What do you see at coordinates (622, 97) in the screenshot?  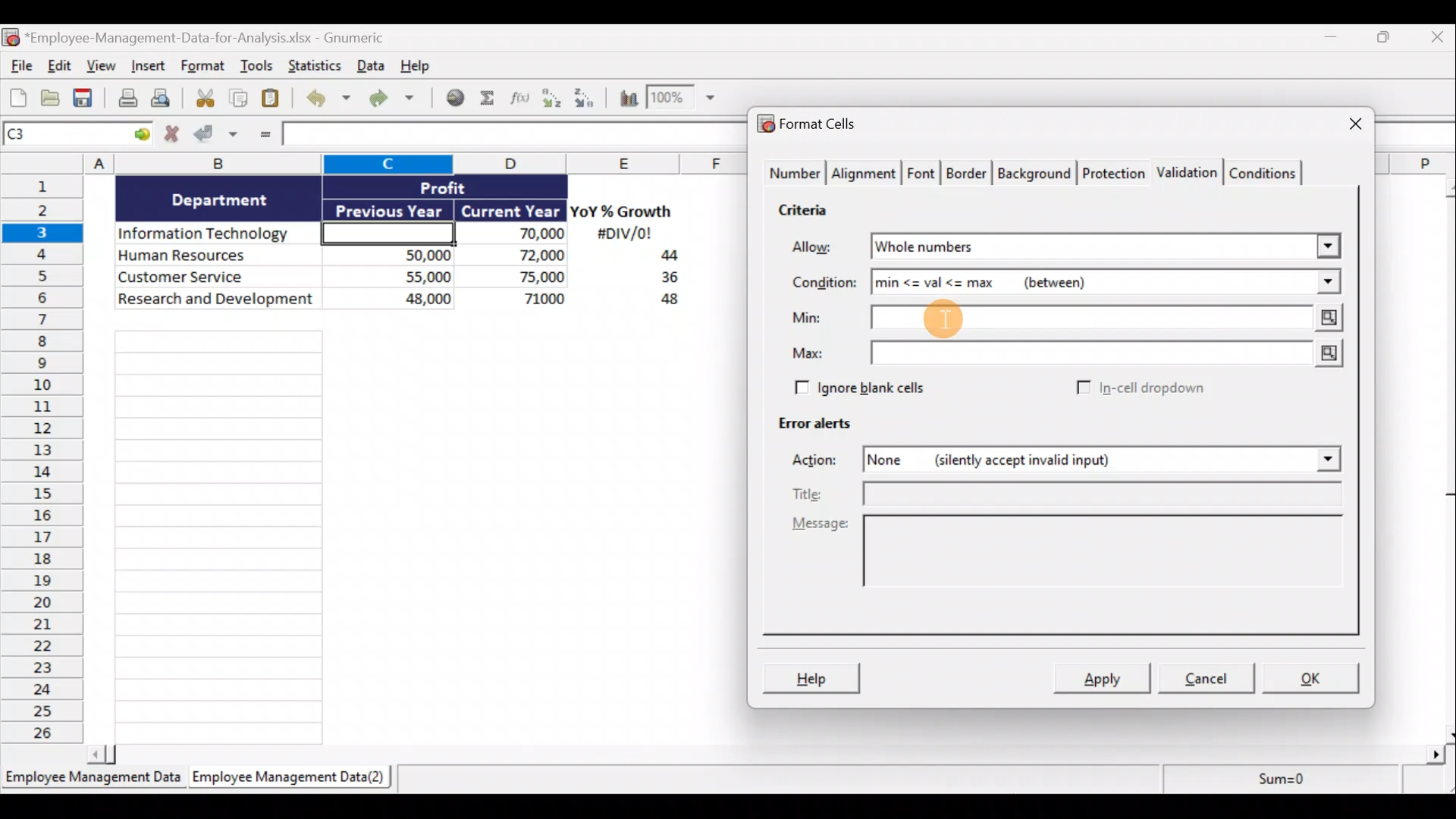 I see `Insert a chart` at bounding box center [622, 97].